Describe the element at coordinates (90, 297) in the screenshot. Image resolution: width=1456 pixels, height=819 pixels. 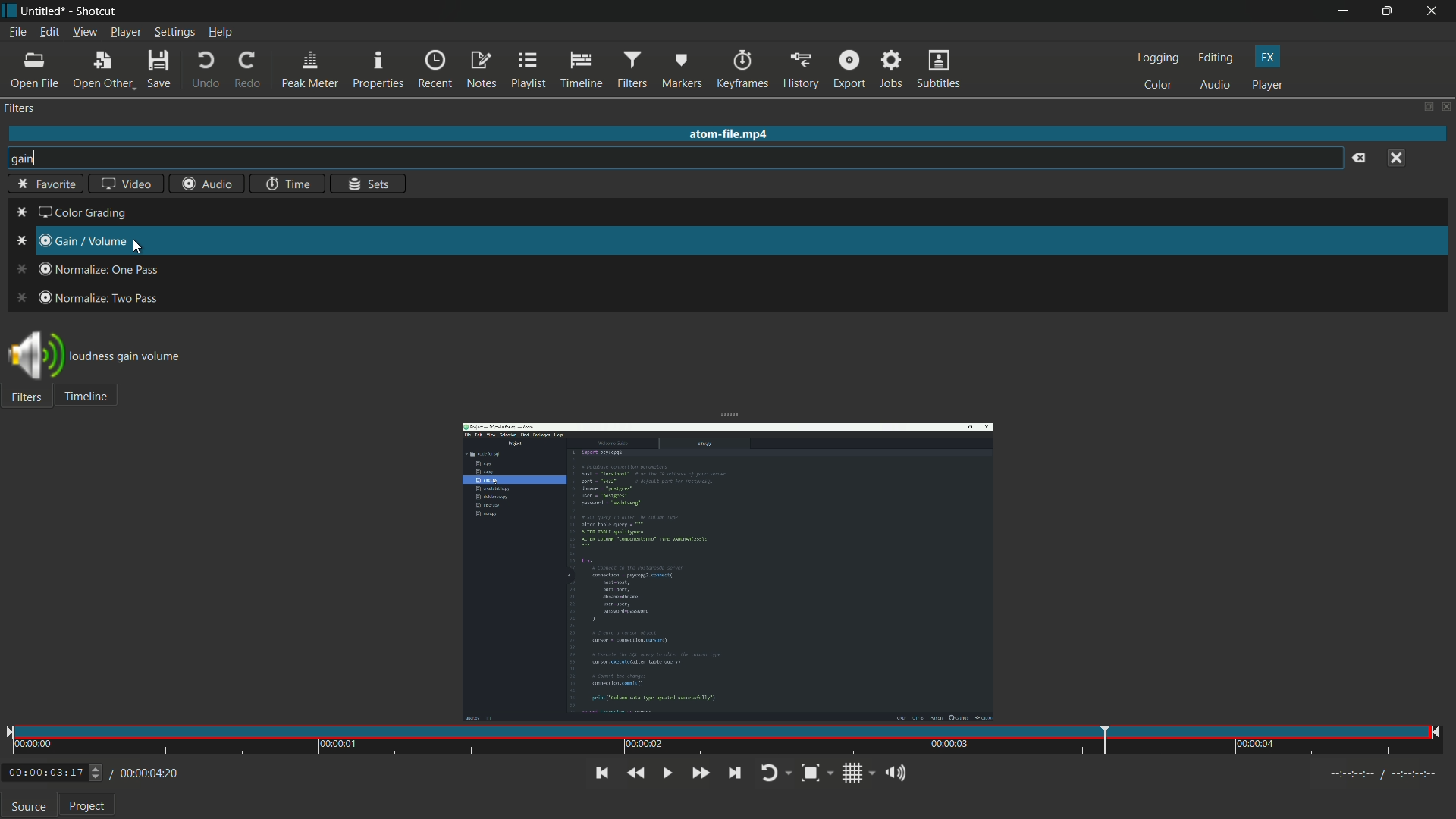
I see `normalize two pass` at that location.